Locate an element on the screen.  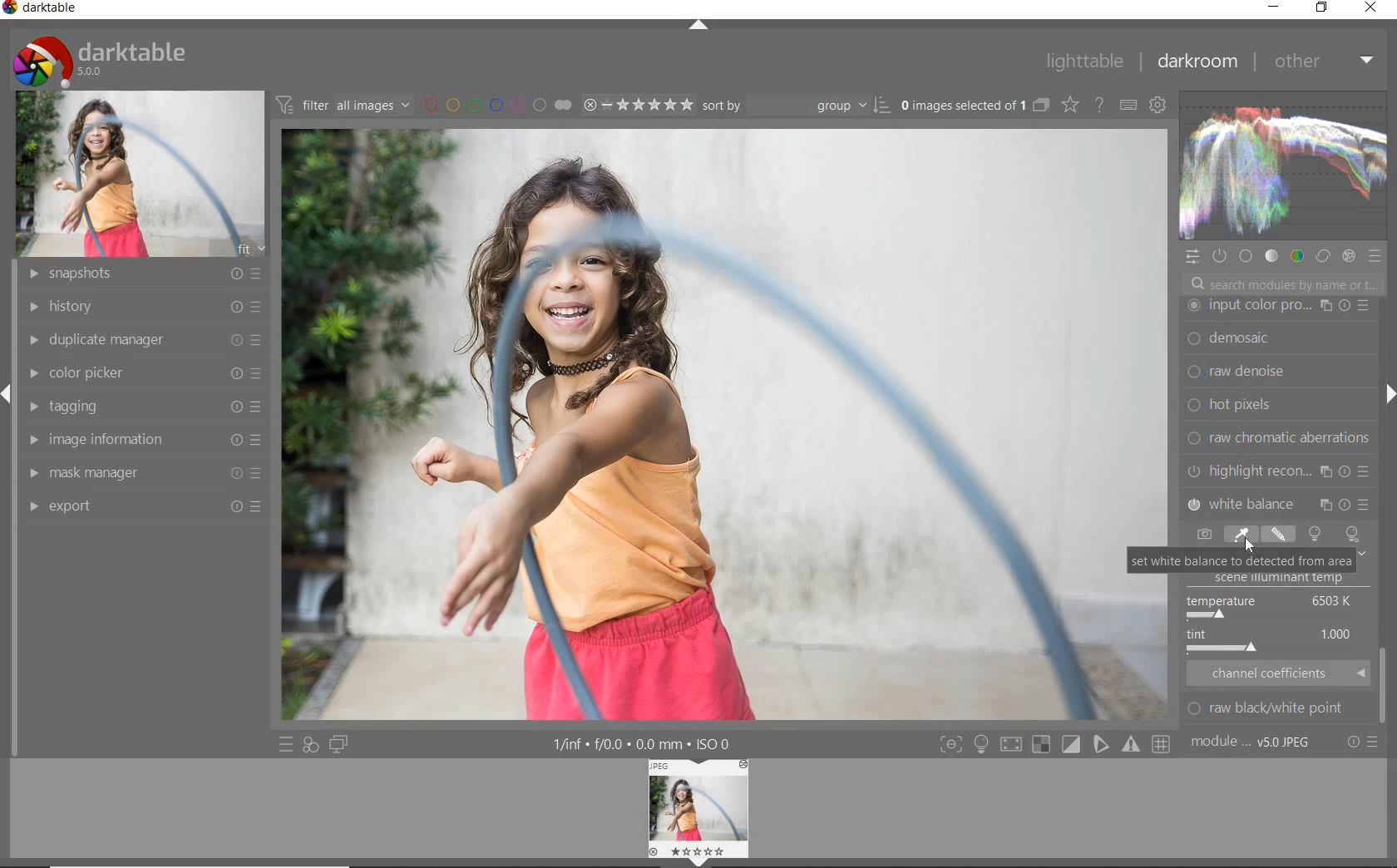
sign  is located at coordinates (980, 744).